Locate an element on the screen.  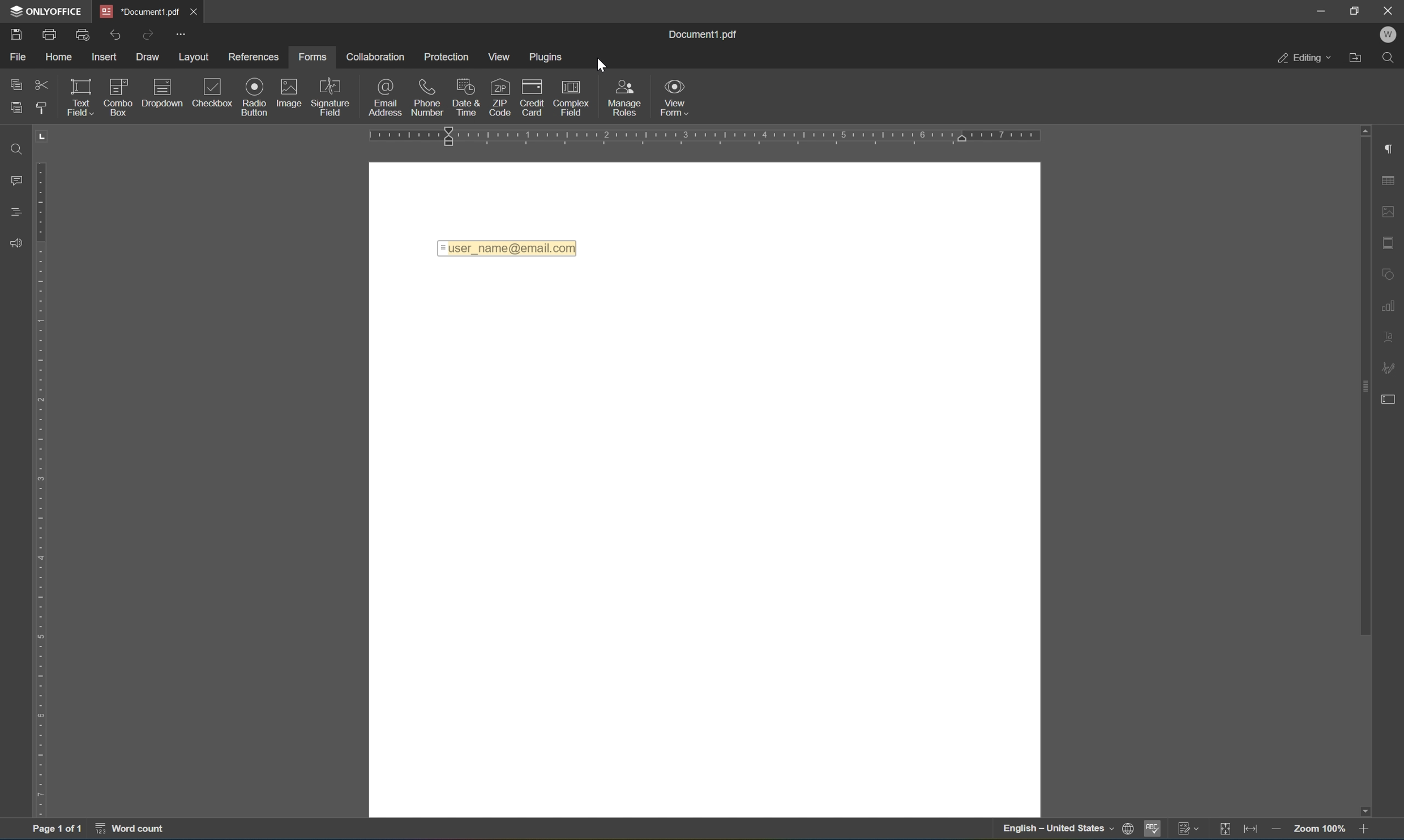
cursor is located at coordinates (602, 63).